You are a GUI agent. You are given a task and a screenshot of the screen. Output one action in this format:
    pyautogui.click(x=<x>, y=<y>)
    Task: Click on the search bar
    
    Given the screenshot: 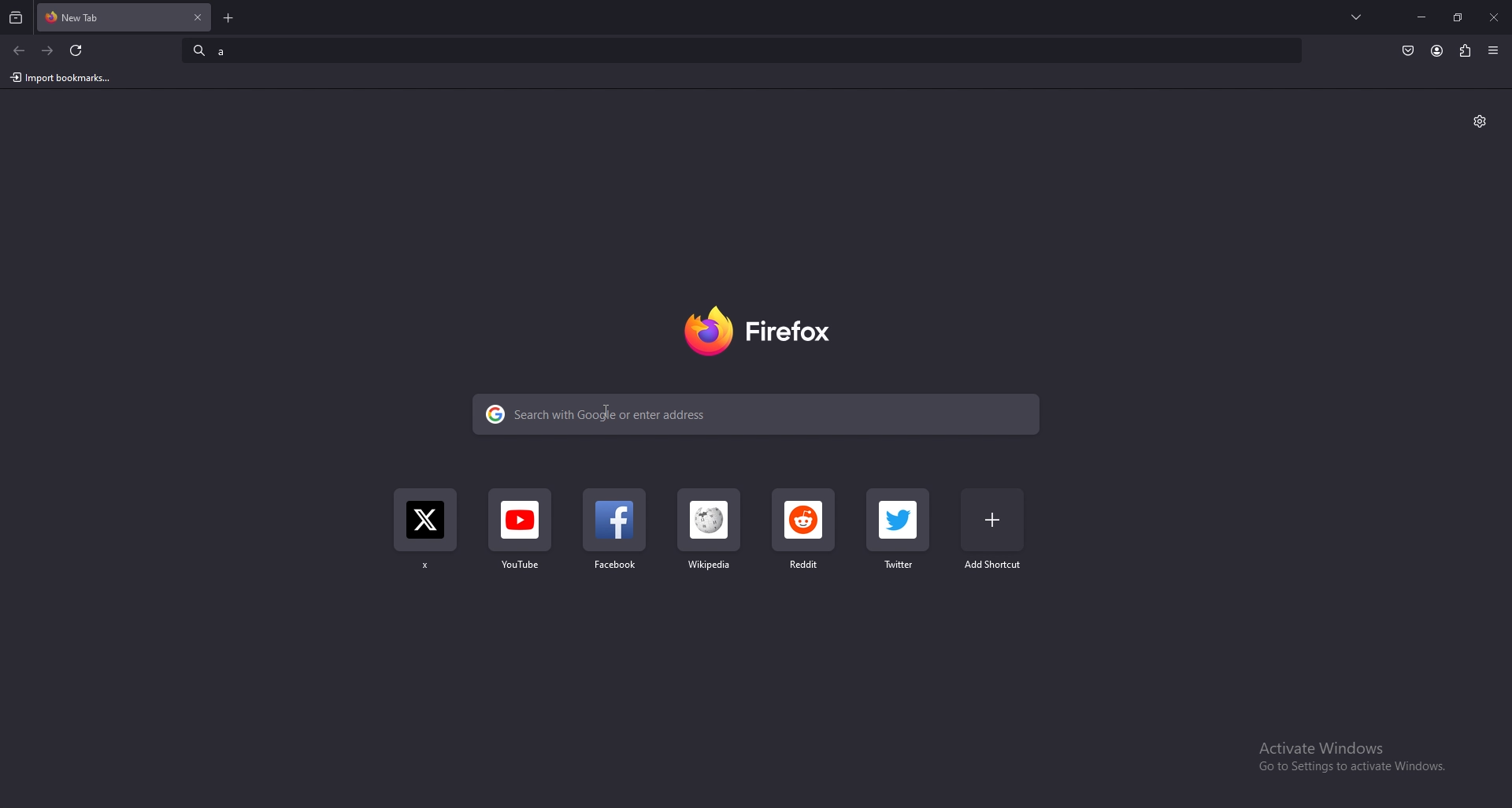 What is the action you would take?
    pyautogui.click(x=757, y=414)
    